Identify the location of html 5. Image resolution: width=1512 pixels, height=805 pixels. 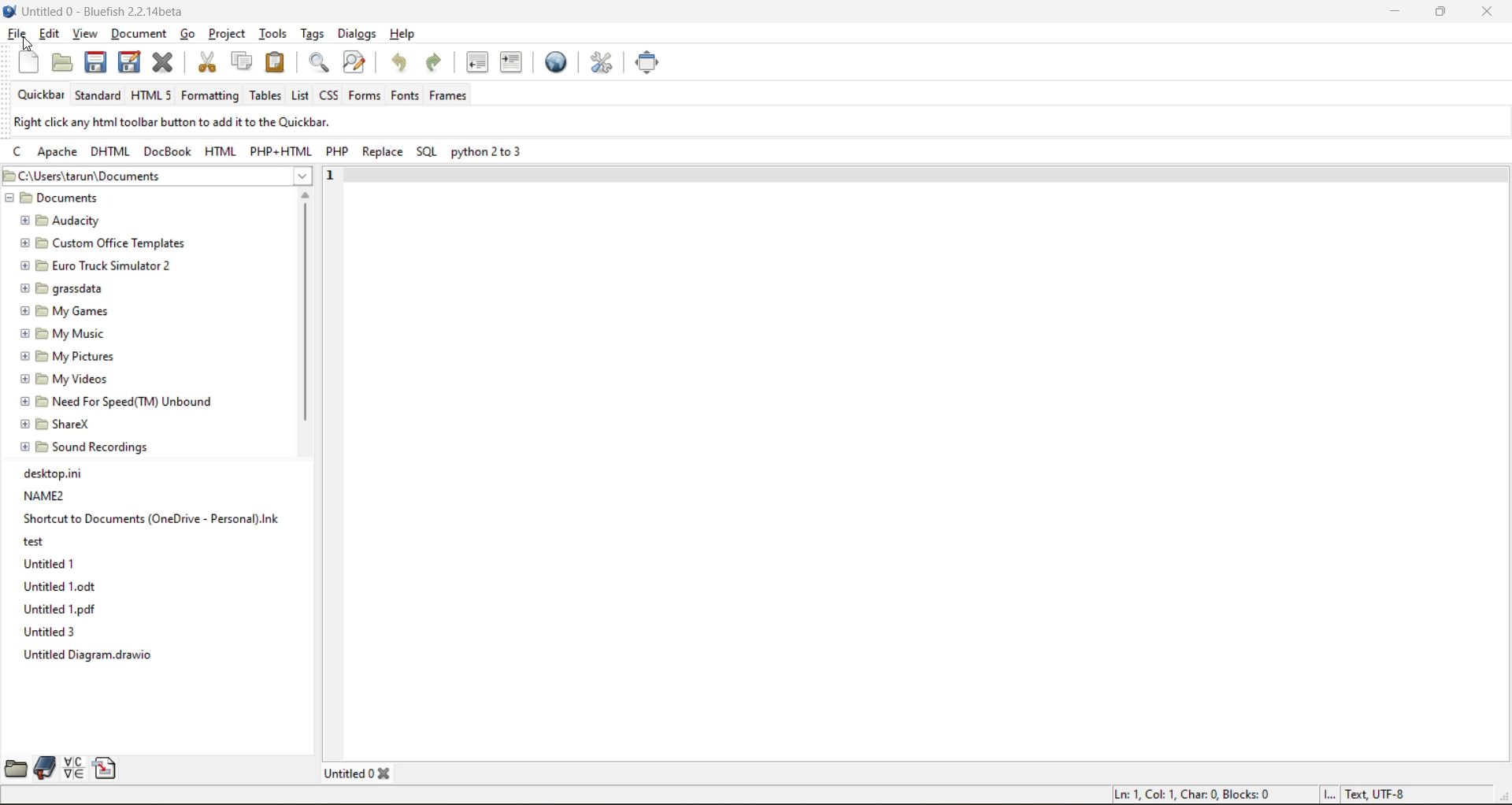
(155, 97).